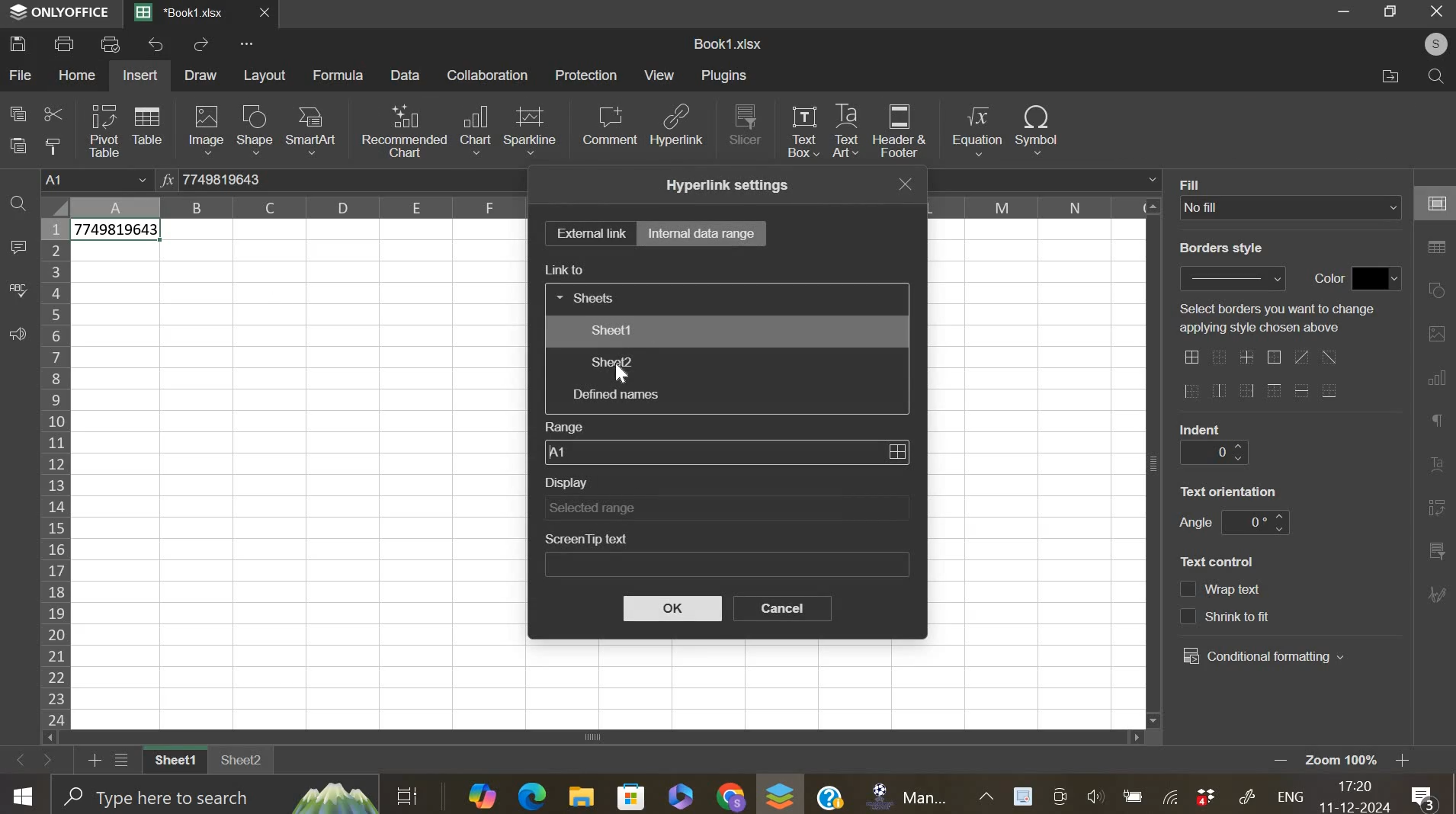 The width and height of the screenshot is (1456, 814). I want to click on shape, so click(254, 130).